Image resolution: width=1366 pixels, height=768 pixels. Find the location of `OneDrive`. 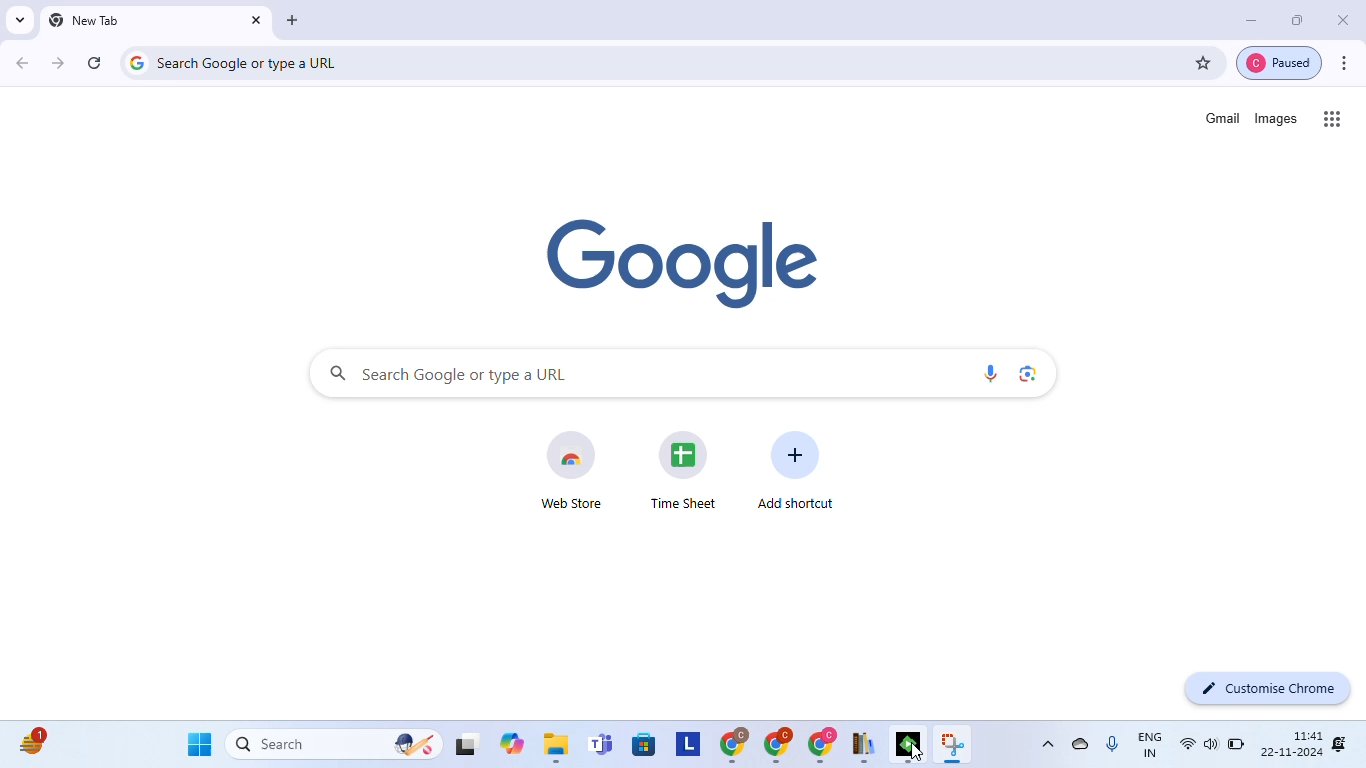

OneDrive is located at coordinates (1083, 741).